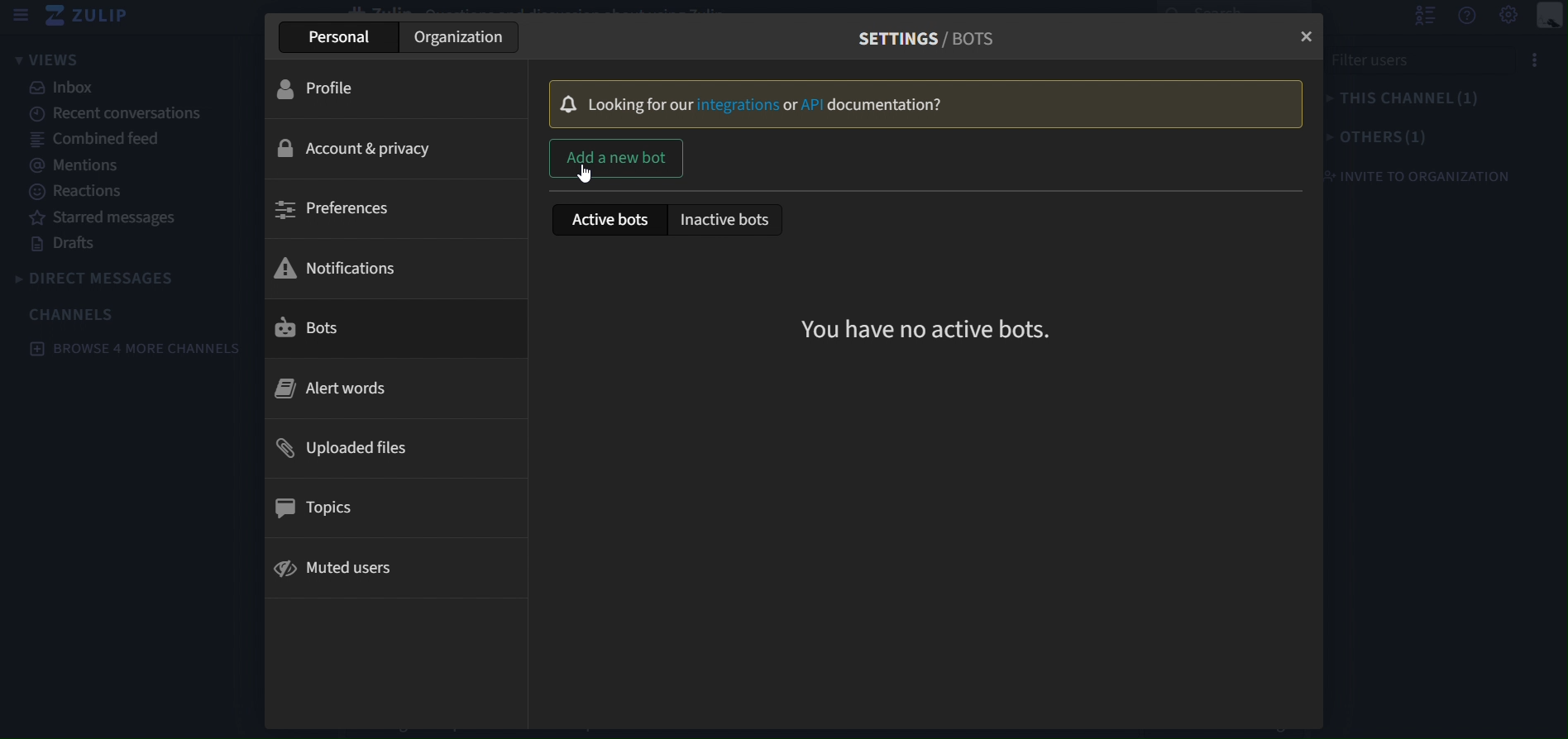  What do you see at coordinates (386, 446) in the screenshot?
I see `uploaded files` at bounding box center [386, 446].